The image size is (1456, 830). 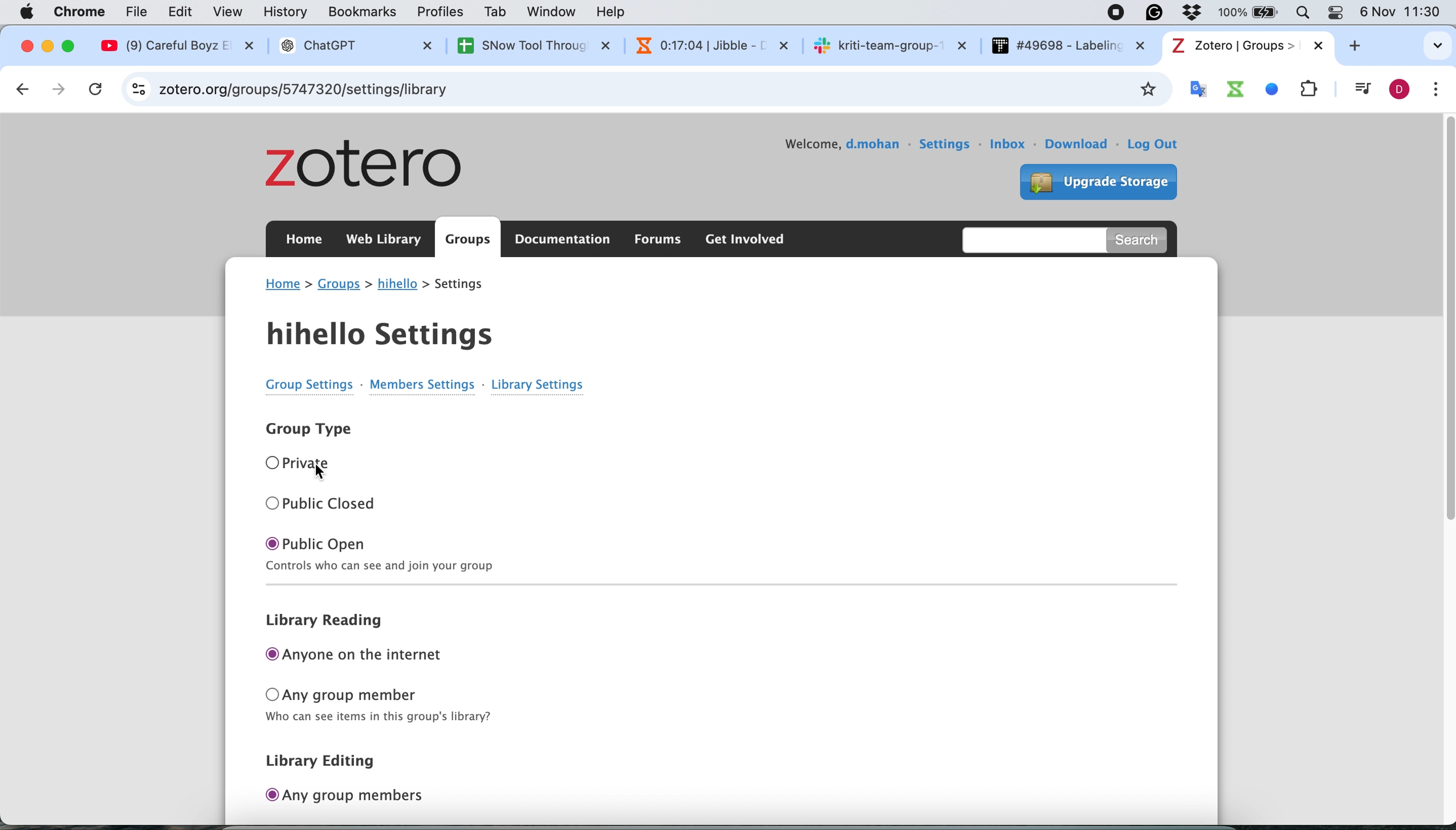 What do you see at coordinates (423, 389) in the screenshot?
I see `Members settings` at bounding box center [423, 389].